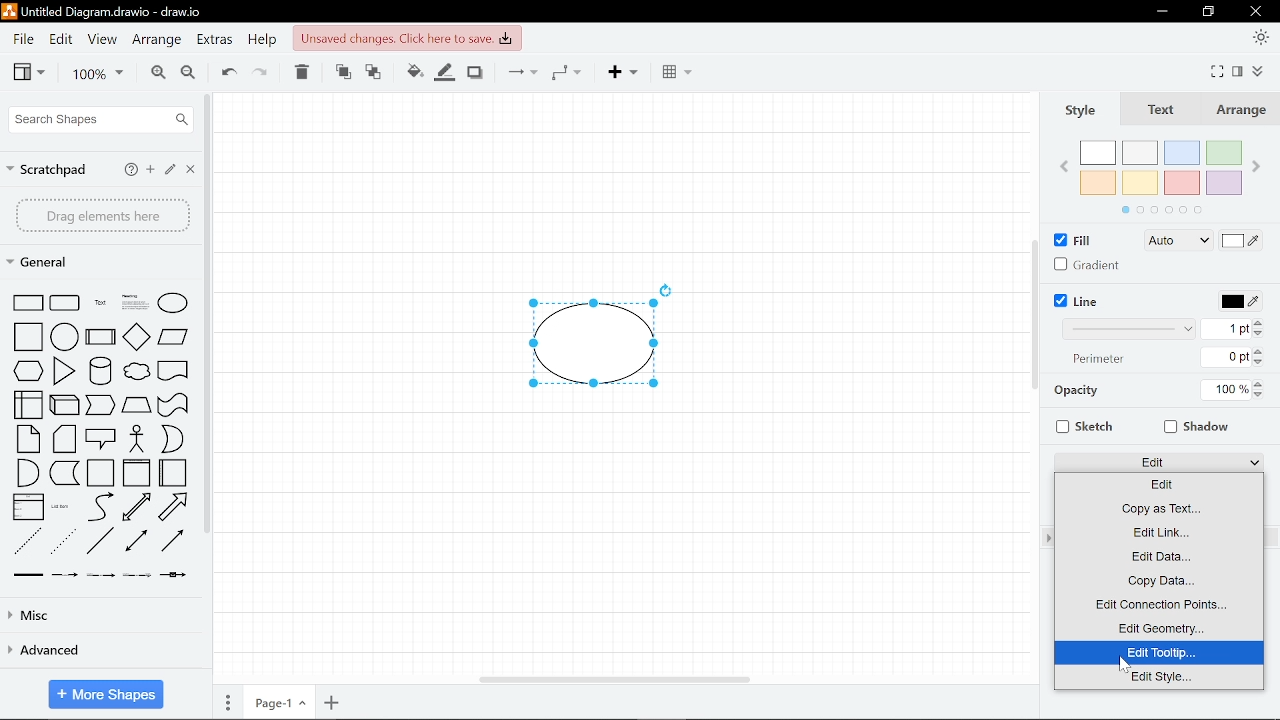 The image size is (1280, 720). I want to click on Edit, so click(62, 39).